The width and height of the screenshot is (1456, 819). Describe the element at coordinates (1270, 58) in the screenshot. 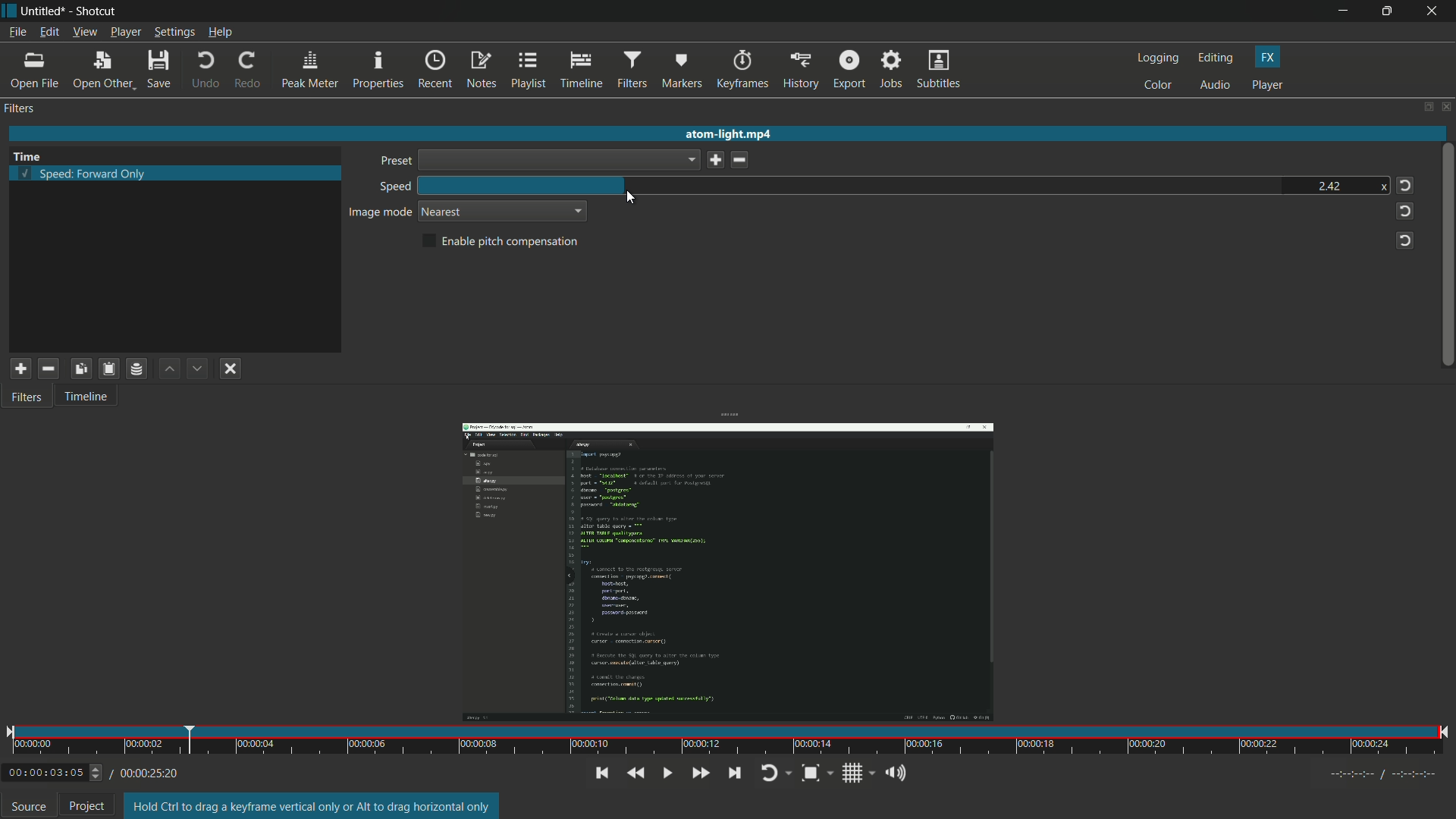

I see `fx` at that location.